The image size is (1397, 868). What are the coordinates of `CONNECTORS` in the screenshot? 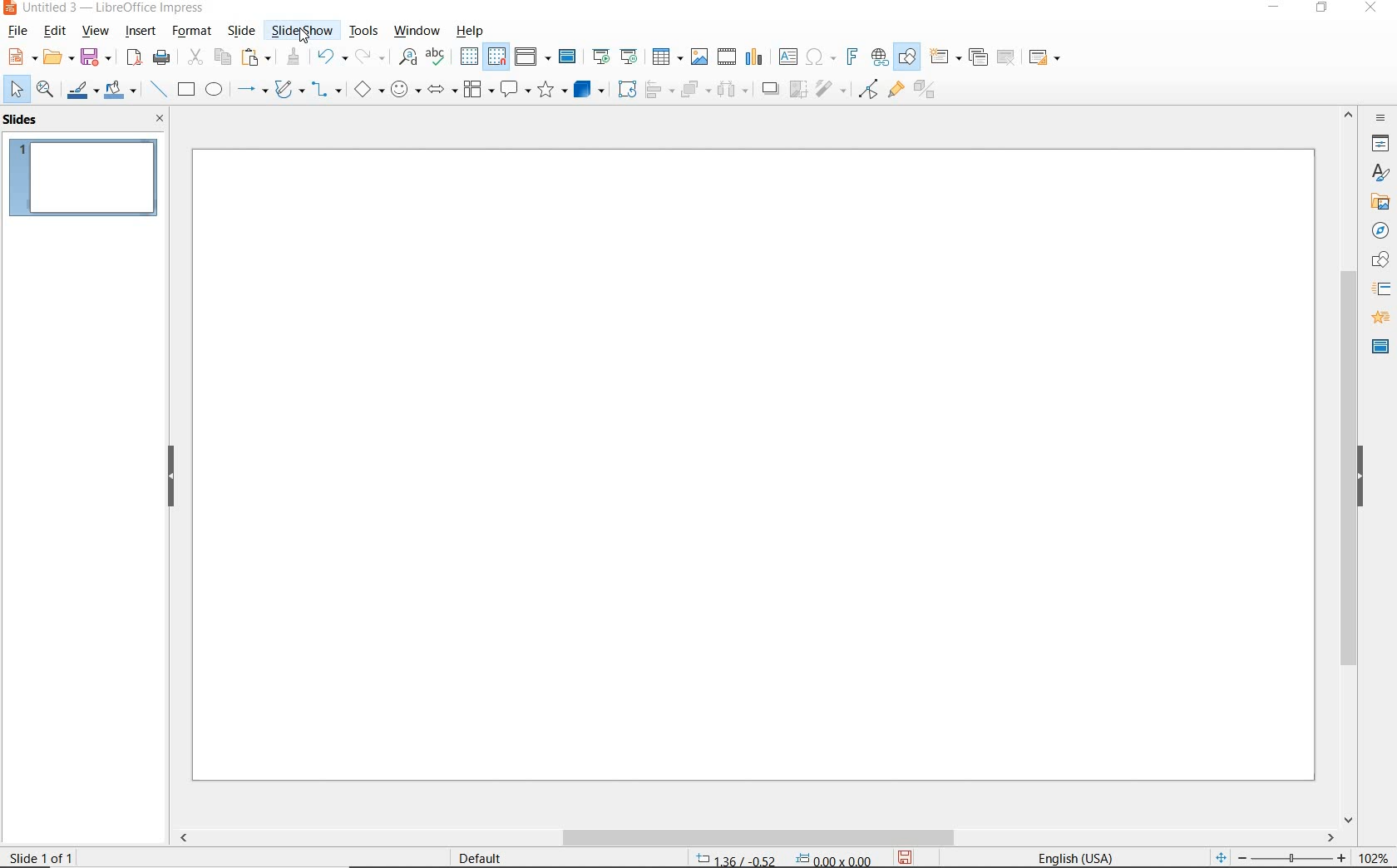 It's located at (327, 88).